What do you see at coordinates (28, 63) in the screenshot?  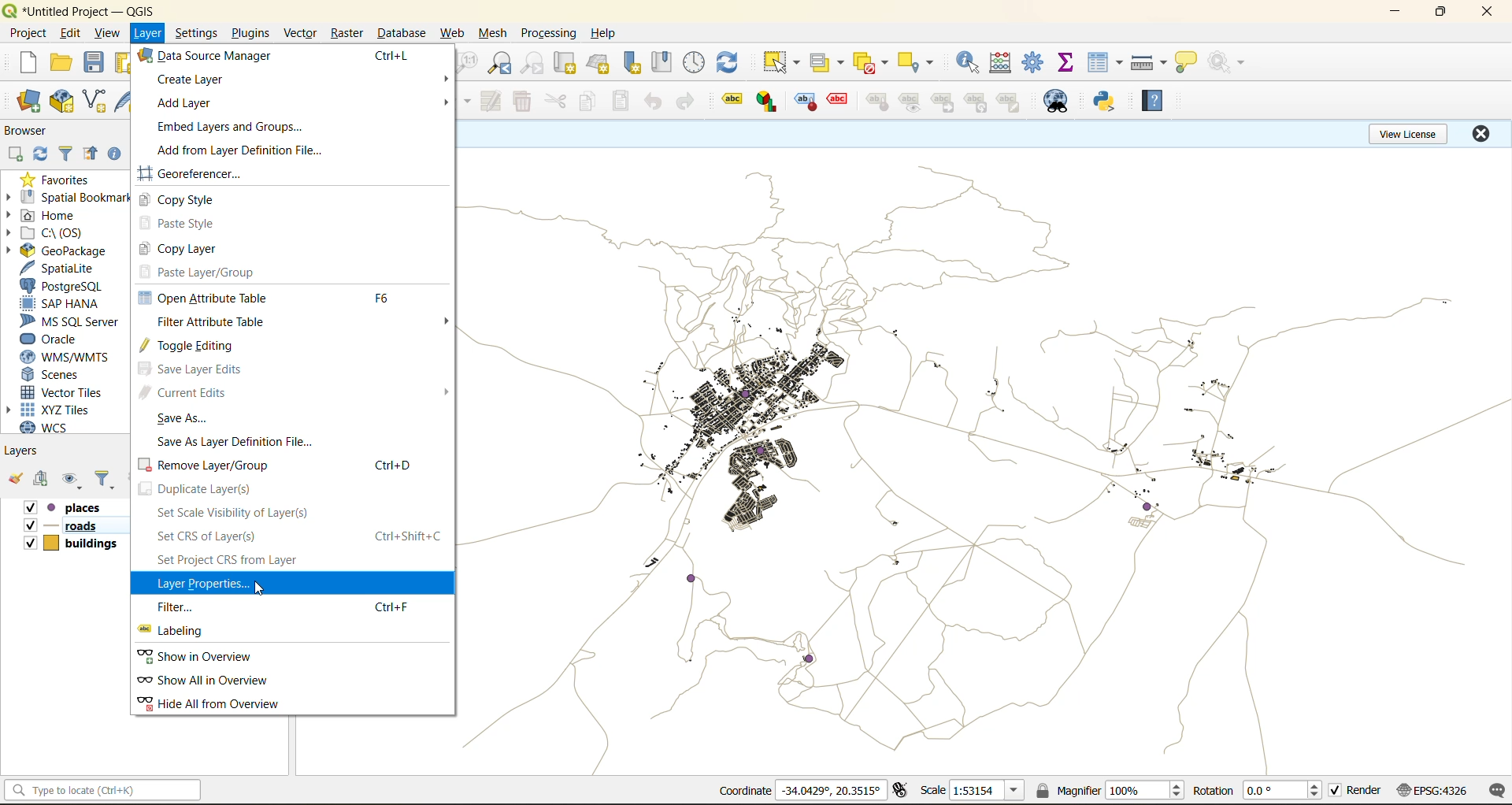 I see `new` at bounding box center [28, 63].